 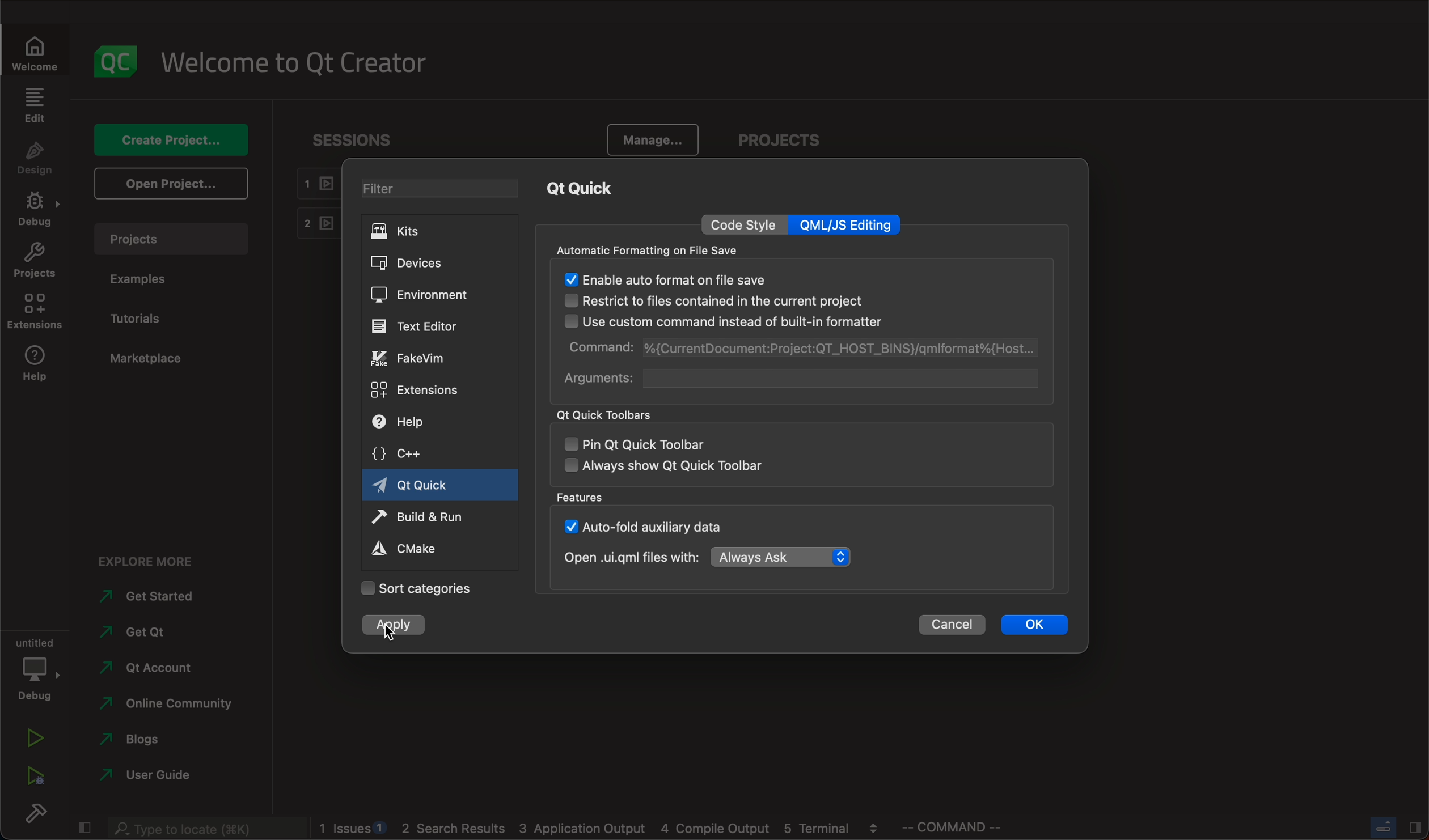 What do you see at coordinates (666, 466) in the screenshot?
I see `always show` at bounding box center [666, 466].